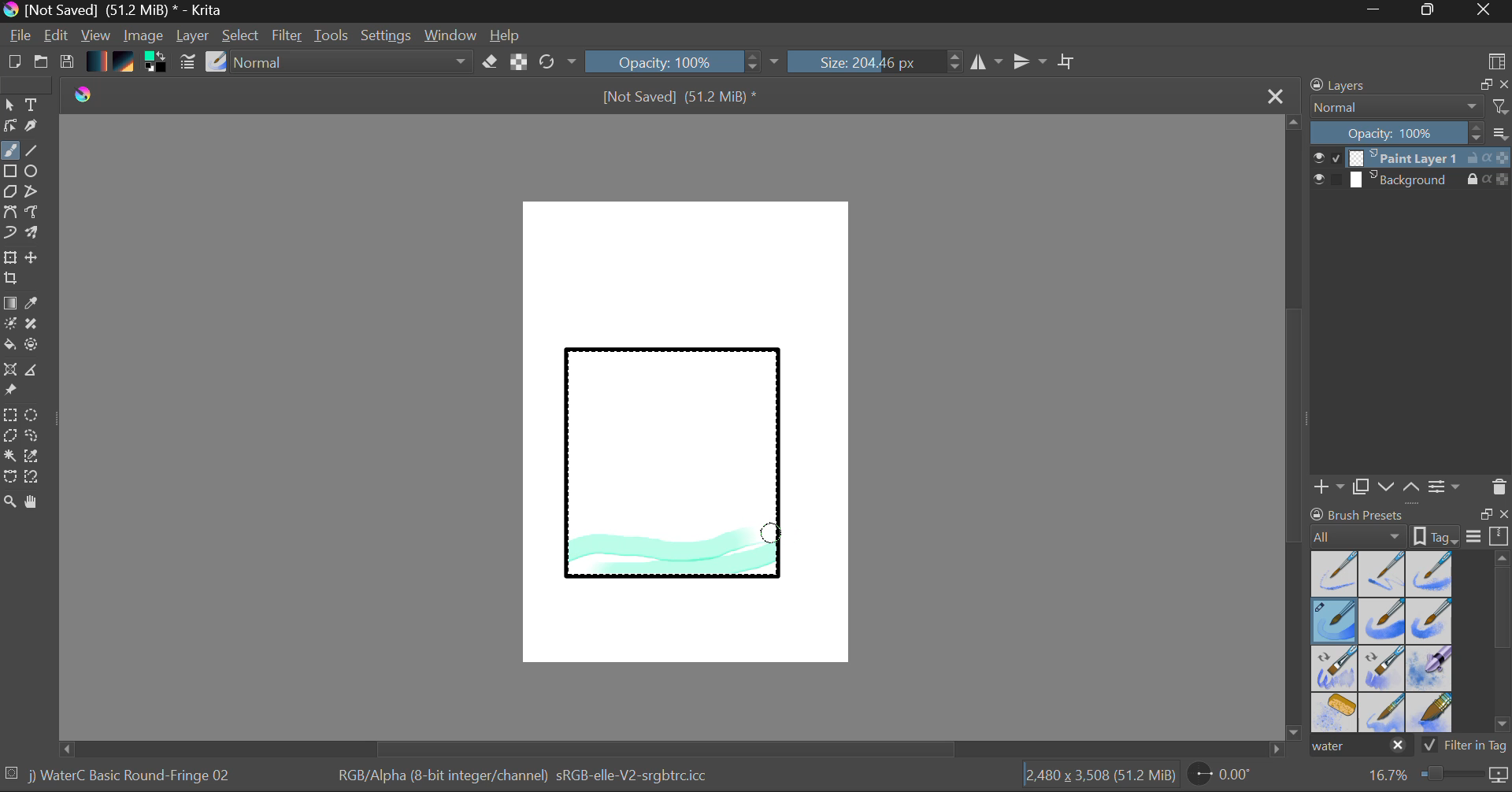 The height and width of the screenshot is (792, 1512). I want to click on Brush presets docket, so click(1410, 525).